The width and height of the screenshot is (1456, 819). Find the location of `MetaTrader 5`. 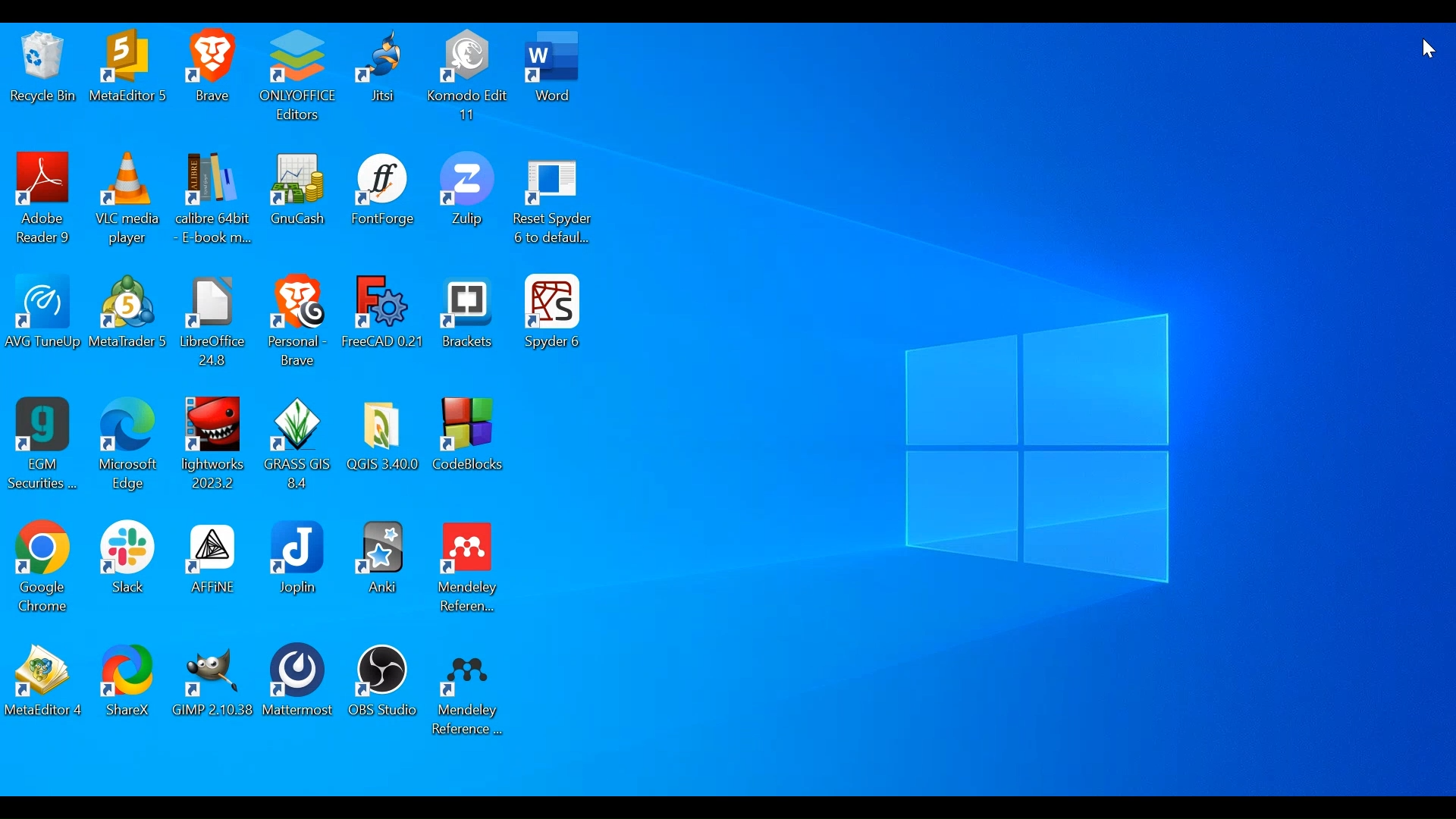

MetaTrader 5 is located at coordinates (129, 318).